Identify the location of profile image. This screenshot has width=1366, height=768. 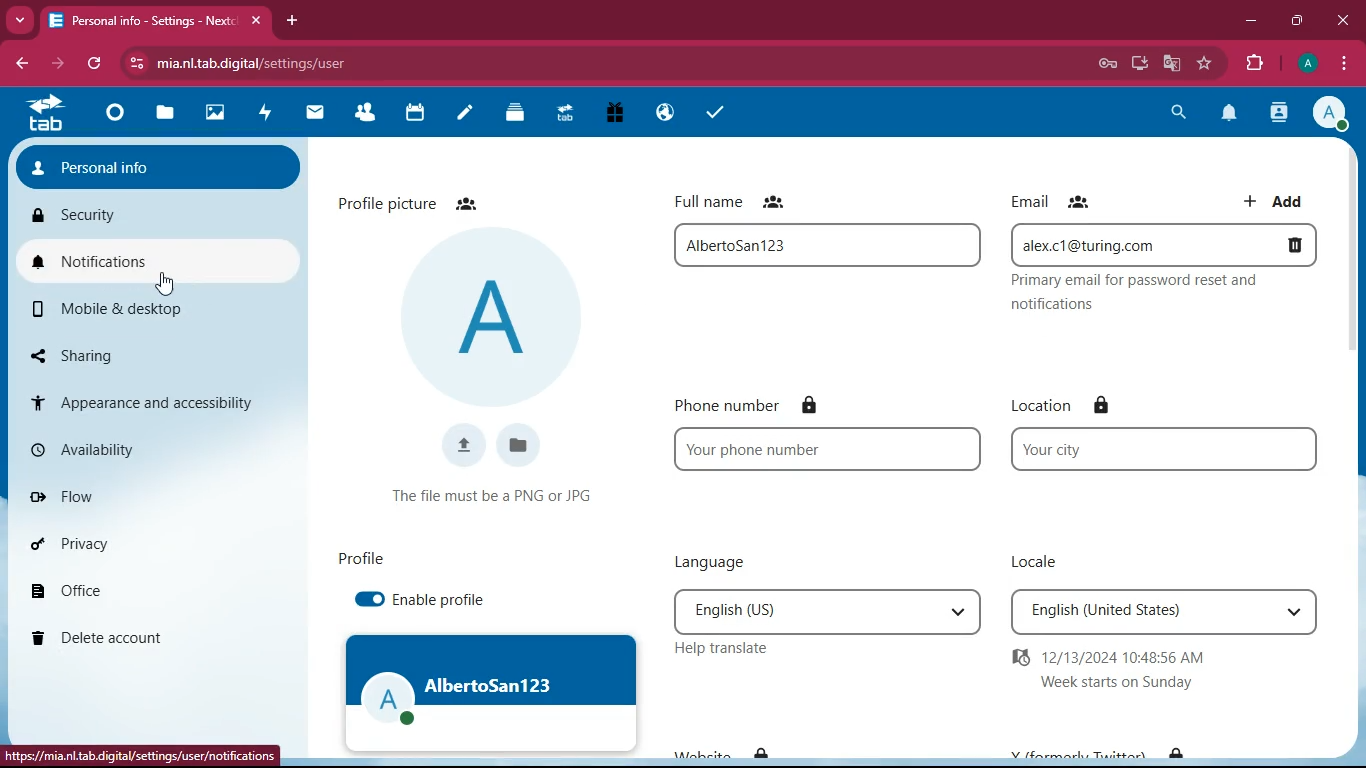
(488, 691).